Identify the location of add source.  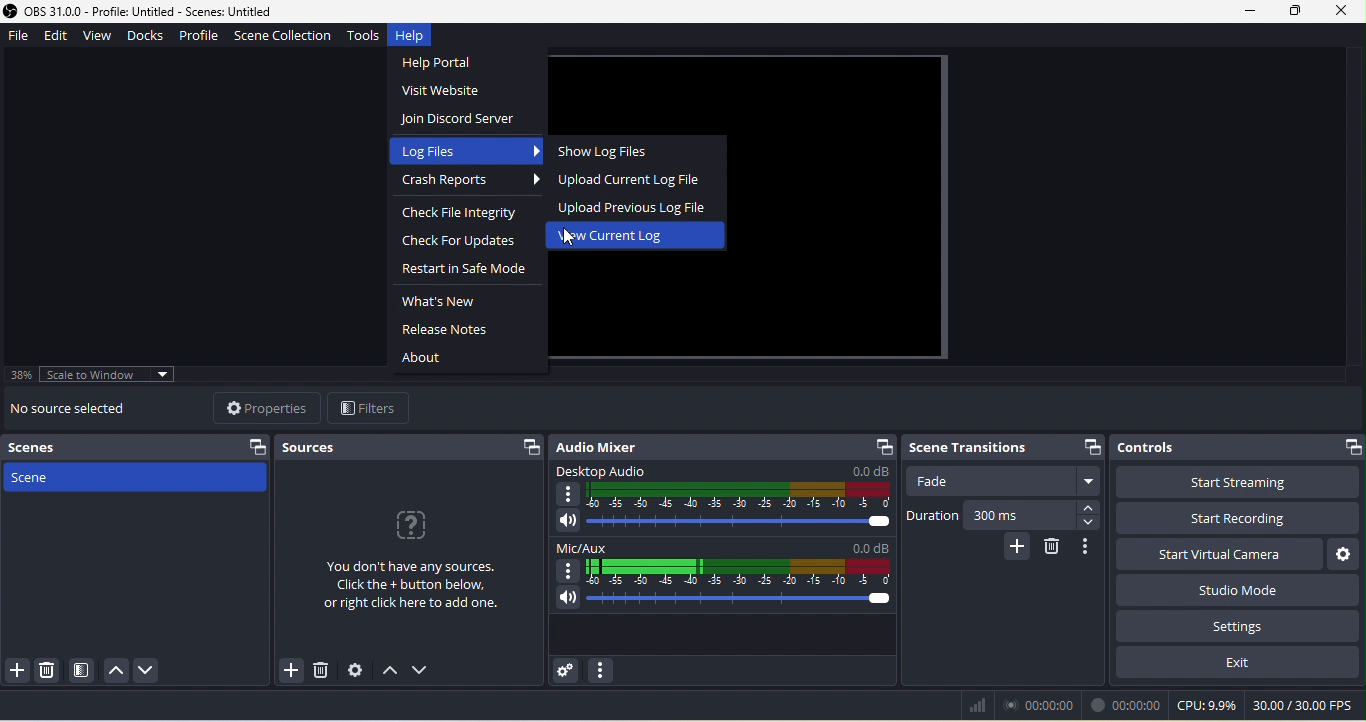
(286, 672).